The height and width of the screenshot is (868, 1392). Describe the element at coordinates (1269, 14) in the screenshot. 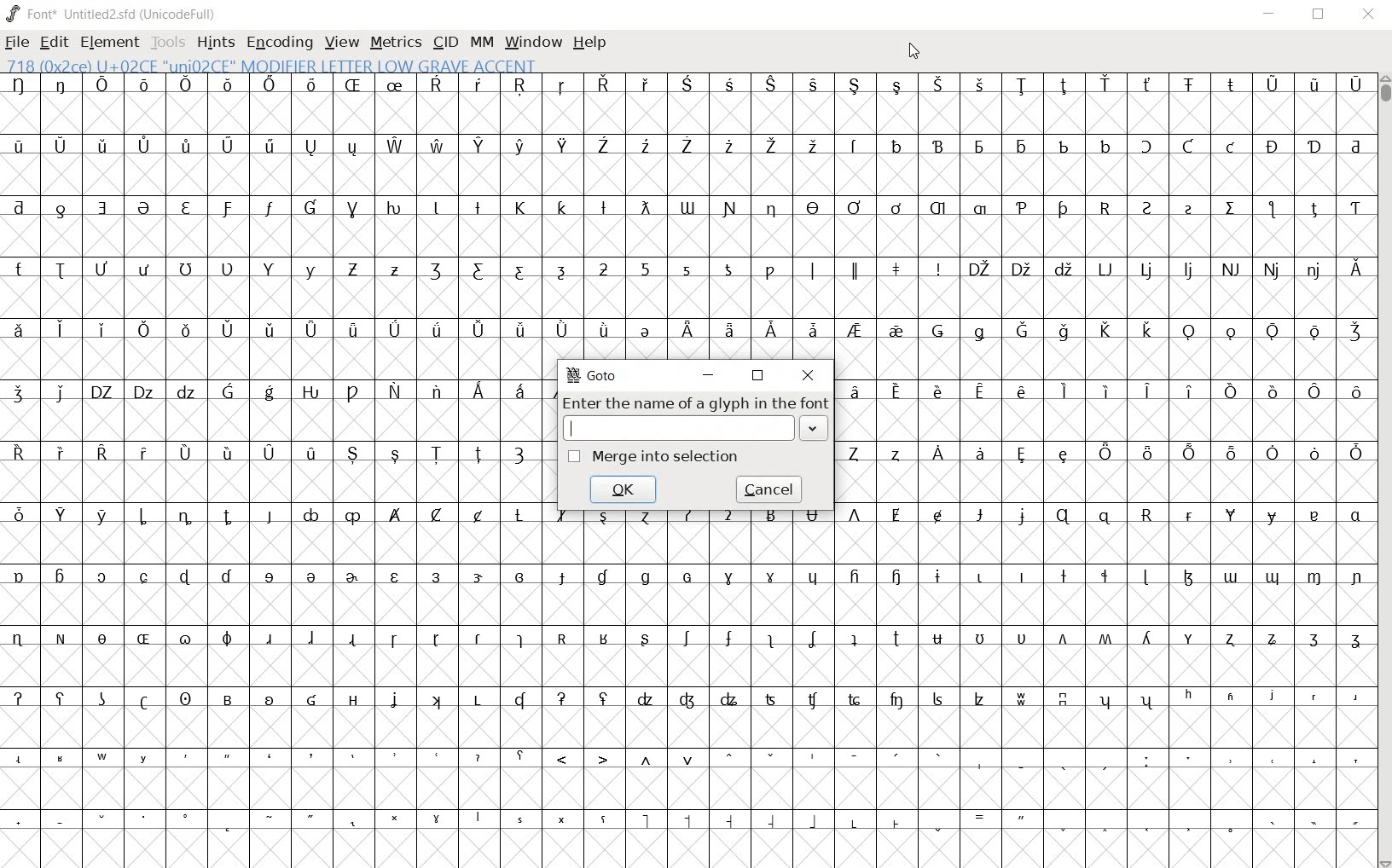

I see `minimize` at that location.